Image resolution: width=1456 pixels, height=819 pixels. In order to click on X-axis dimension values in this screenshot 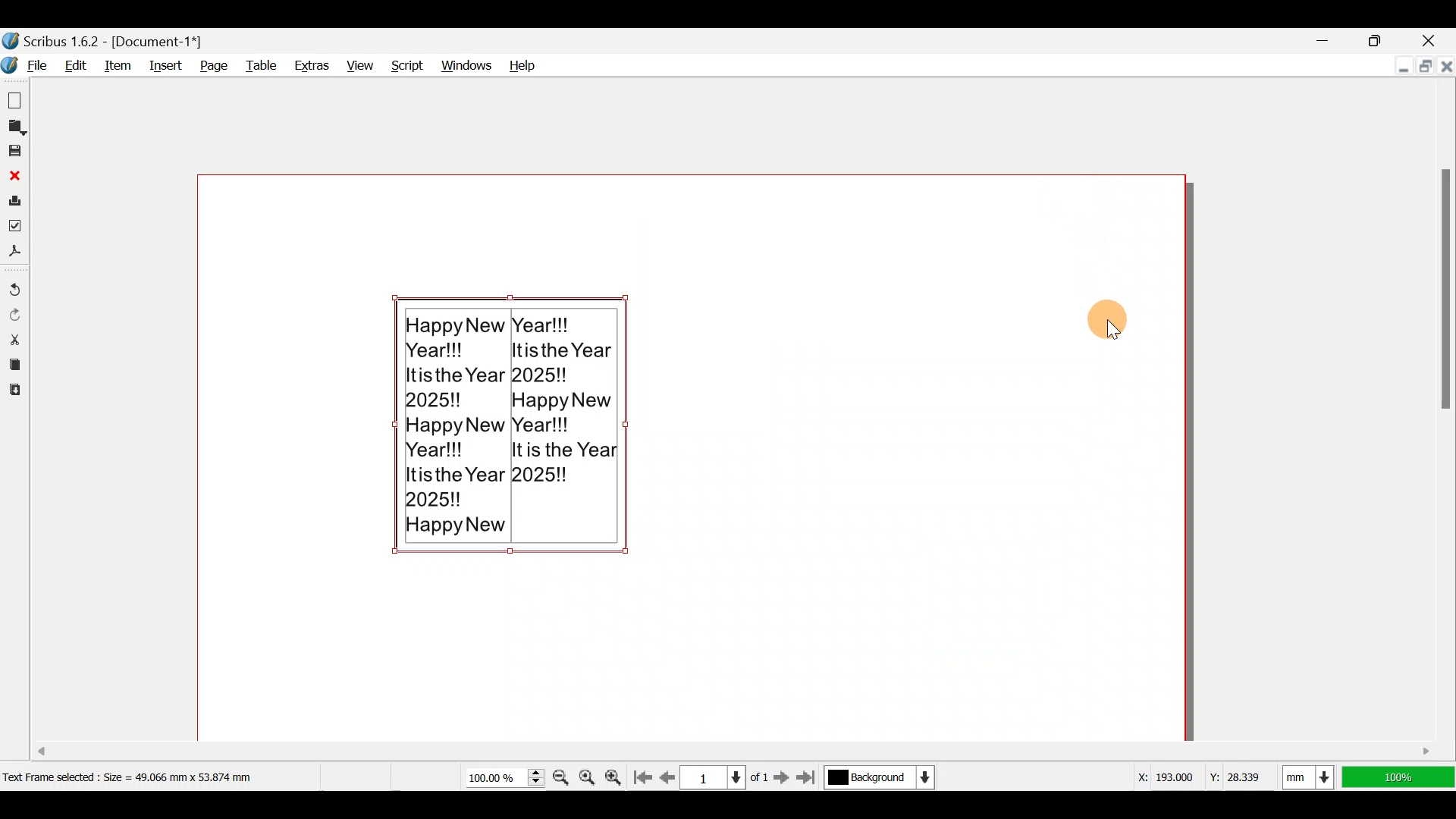, I will do `click(1159, 775)`.